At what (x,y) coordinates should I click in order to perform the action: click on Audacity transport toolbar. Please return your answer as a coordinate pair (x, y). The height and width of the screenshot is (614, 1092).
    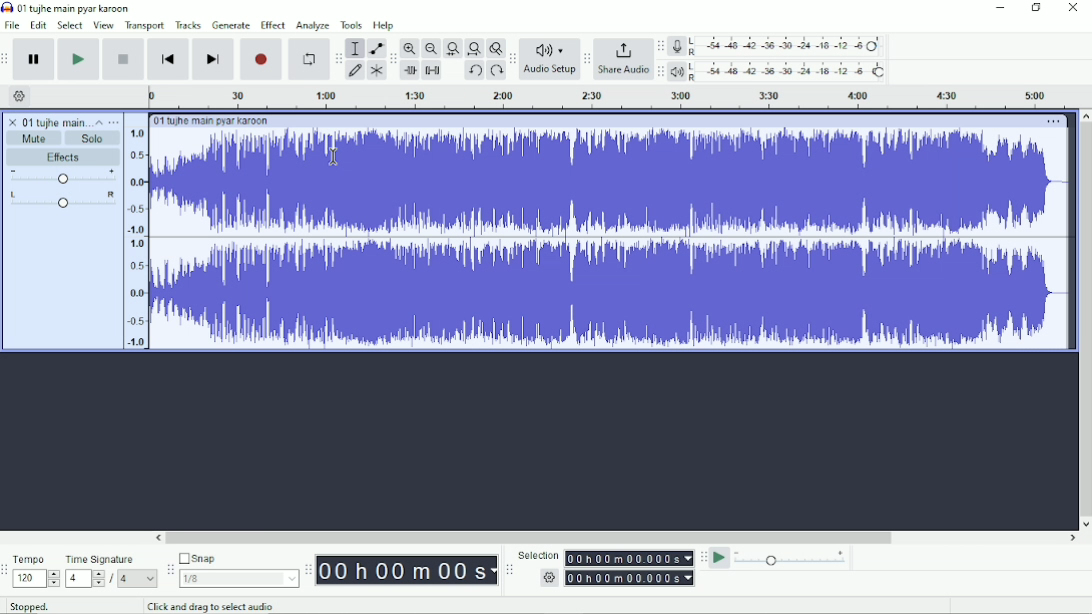
    Looking at the image, I should click on (7, 58).